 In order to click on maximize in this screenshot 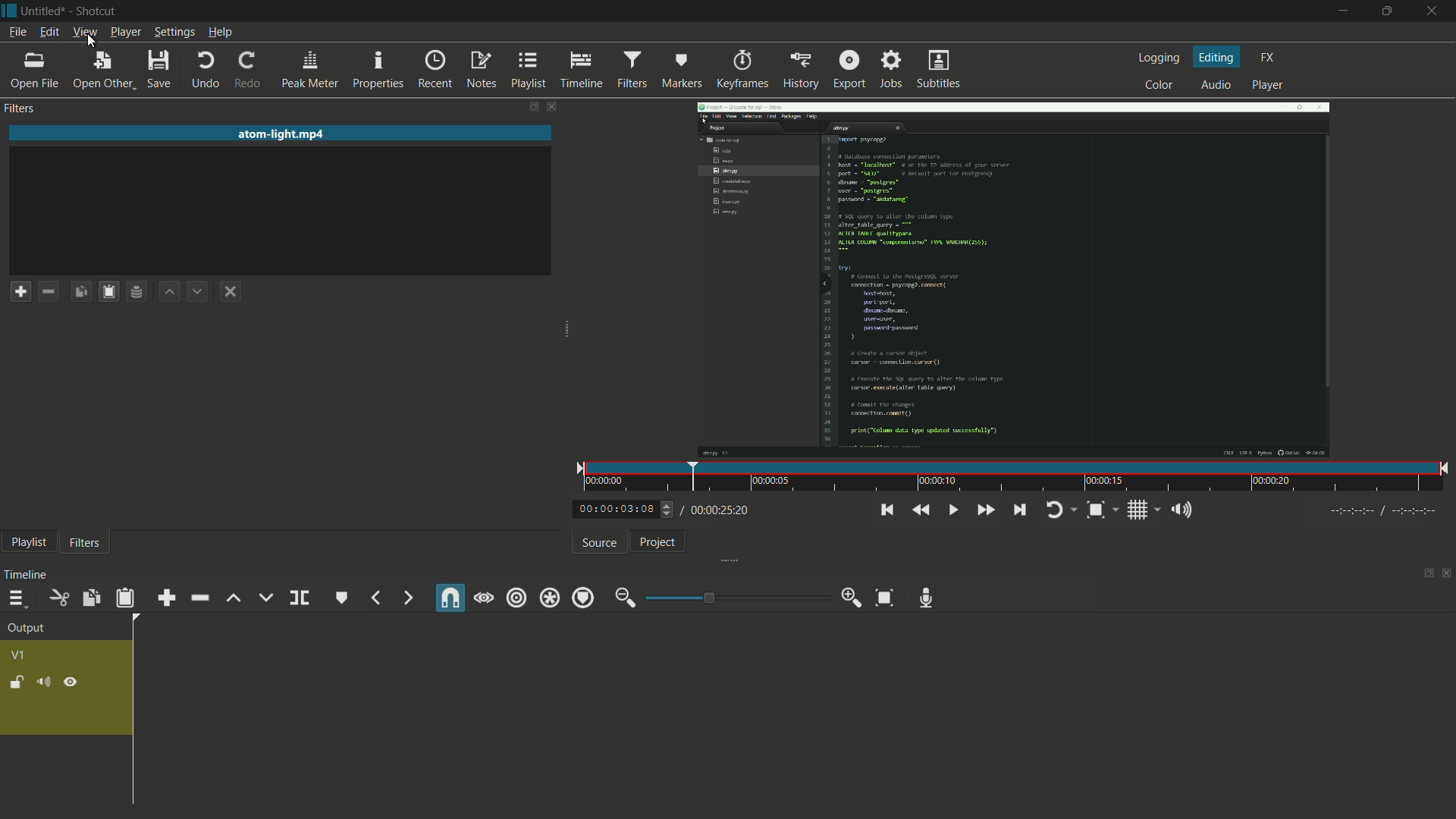, I will do `click(1389, 11)`.